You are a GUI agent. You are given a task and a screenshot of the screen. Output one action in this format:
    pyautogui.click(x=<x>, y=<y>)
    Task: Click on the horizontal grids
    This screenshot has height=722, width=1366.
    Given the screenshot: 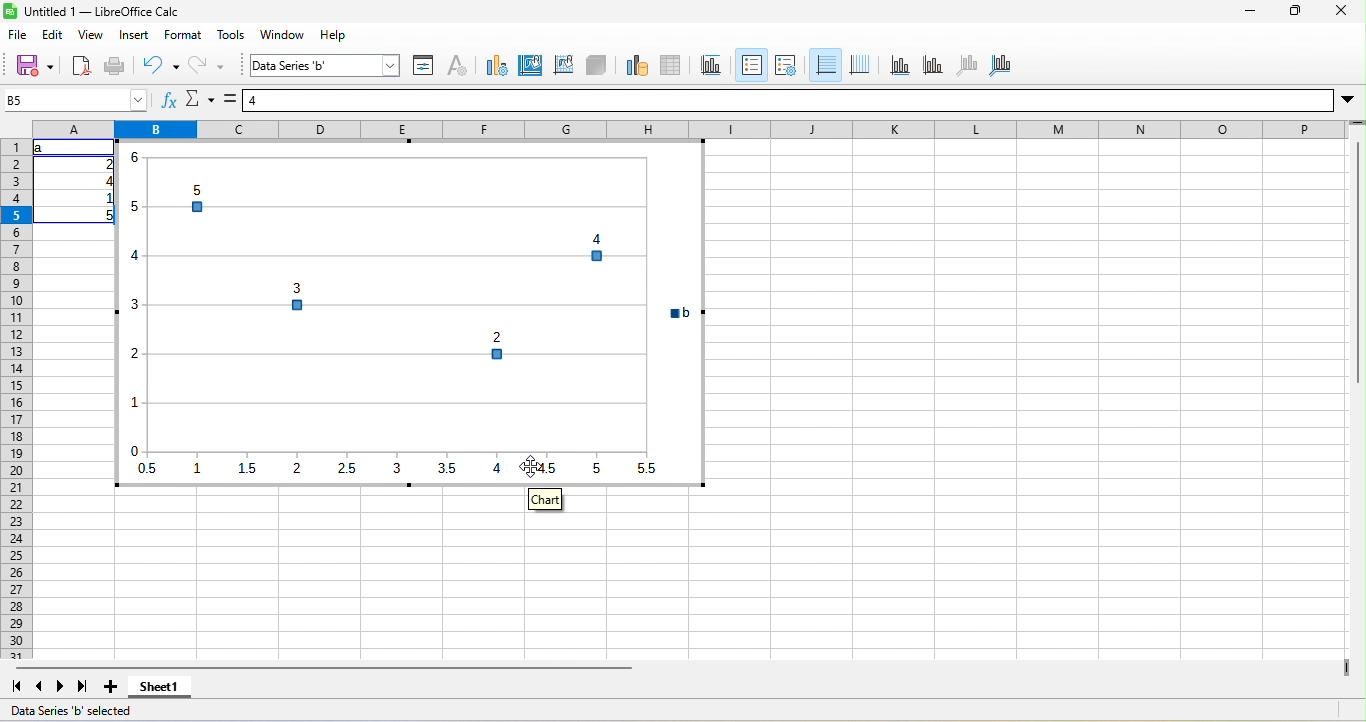 What is the action you would take?
    pyautogui.click(x=826, y=66)
    